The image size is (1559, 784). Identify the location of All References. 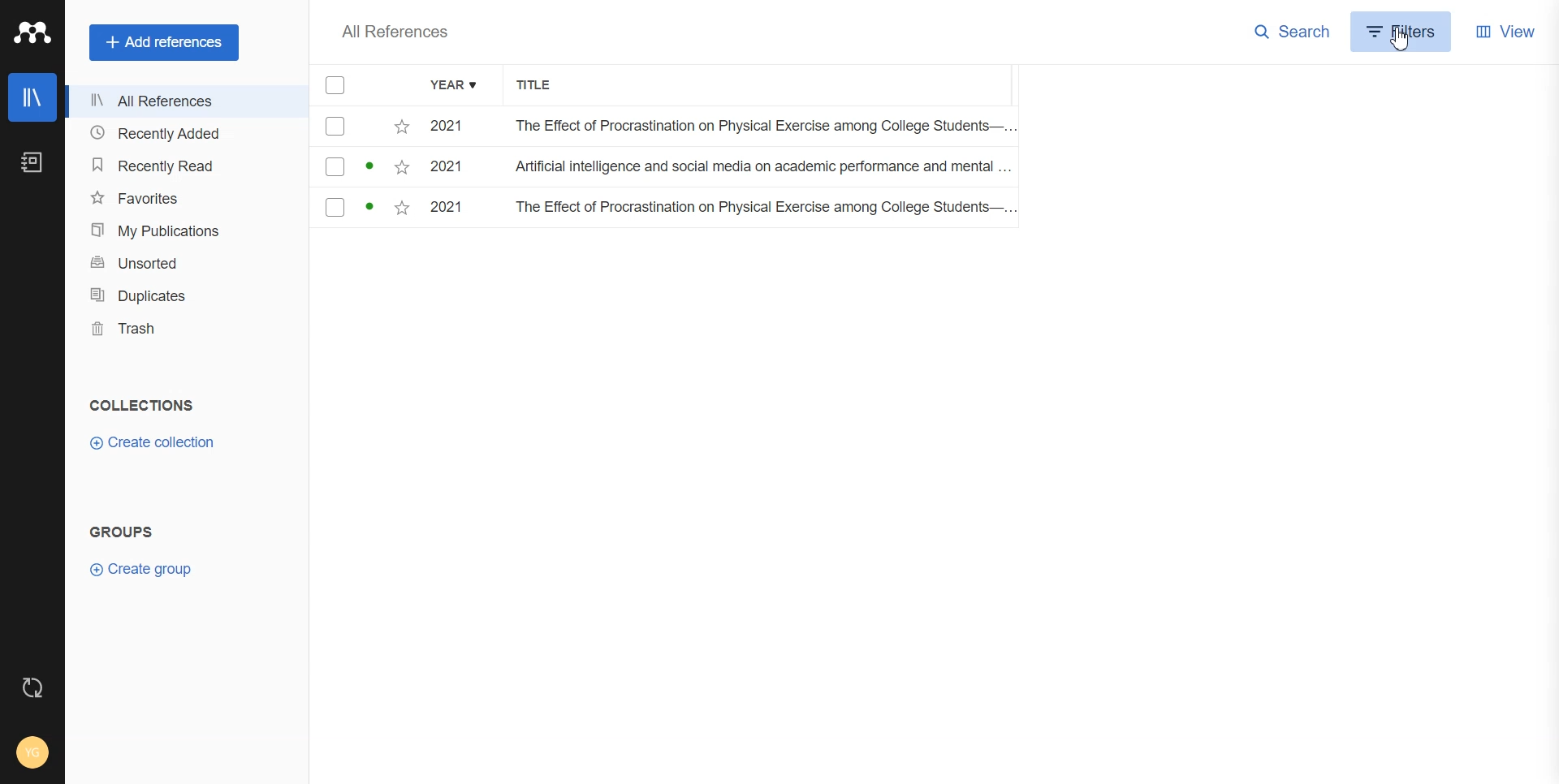
(395, 32).